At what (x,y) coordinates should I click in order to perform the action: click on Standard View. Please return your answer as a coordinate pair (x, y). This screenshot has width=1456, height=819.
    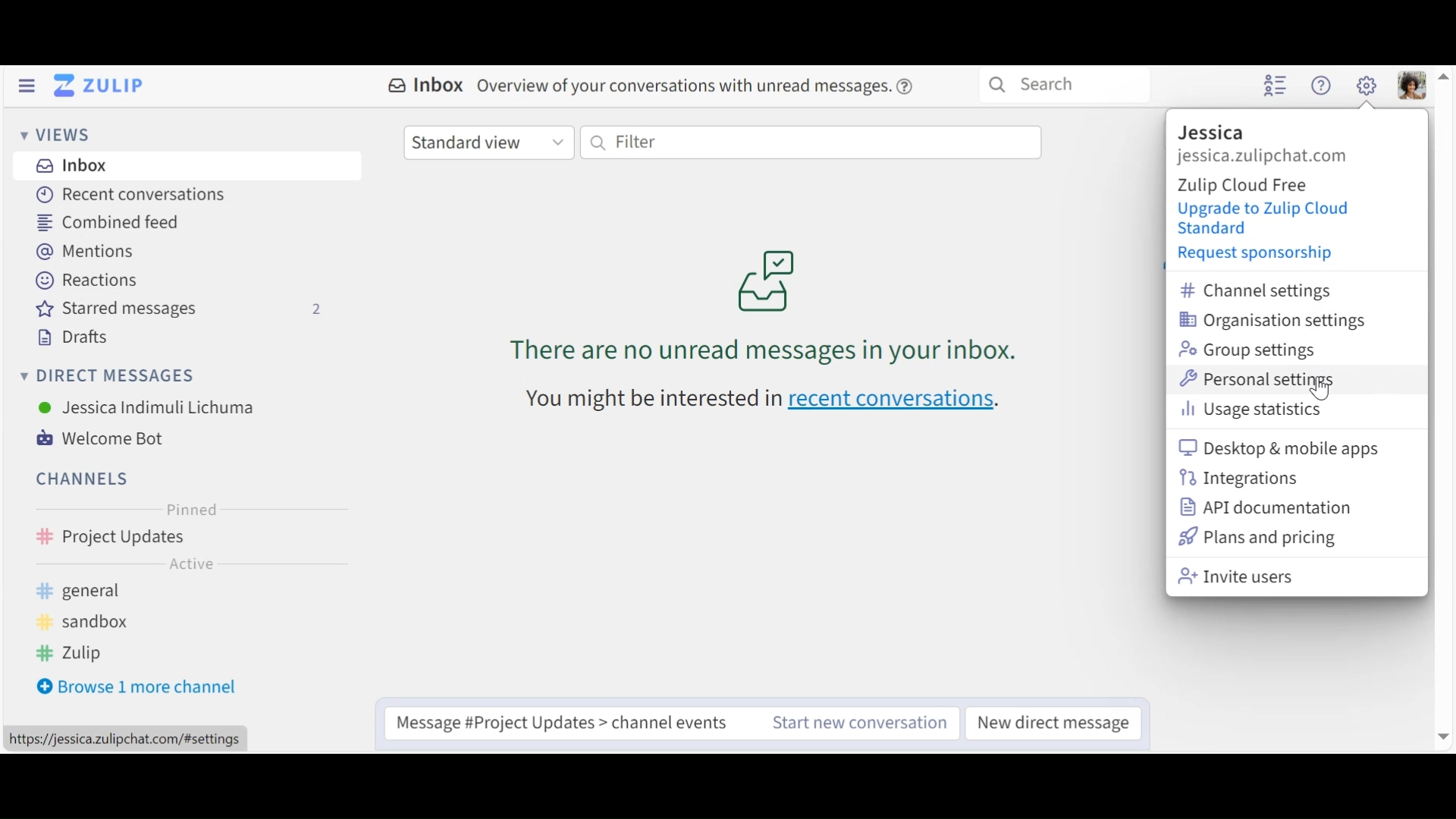
    Looking at the image, I should click on (488, 142).